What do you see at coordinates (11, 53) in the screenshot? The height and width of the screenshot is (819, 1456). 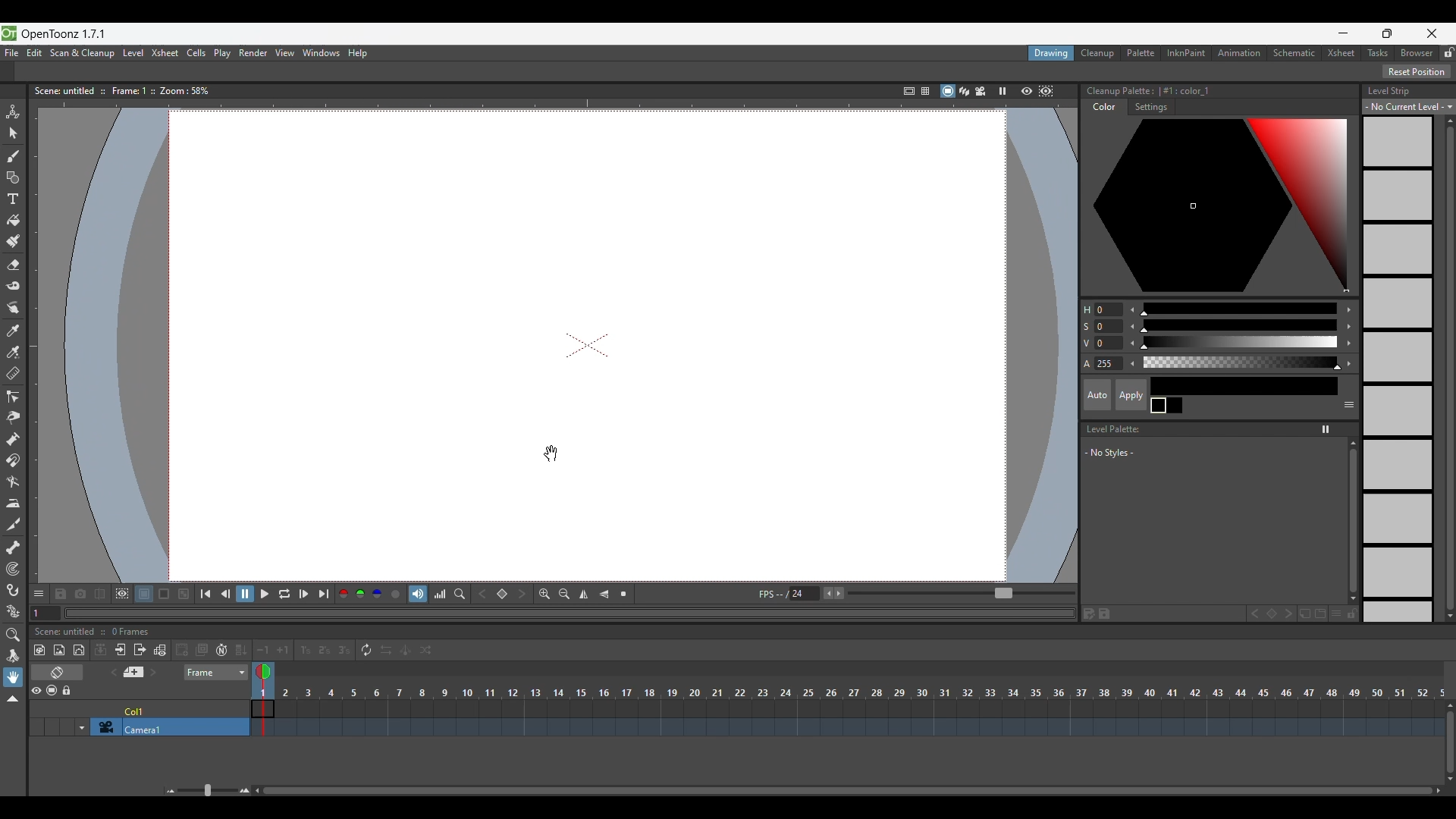 I see `File` at bounding box center [11, 53].